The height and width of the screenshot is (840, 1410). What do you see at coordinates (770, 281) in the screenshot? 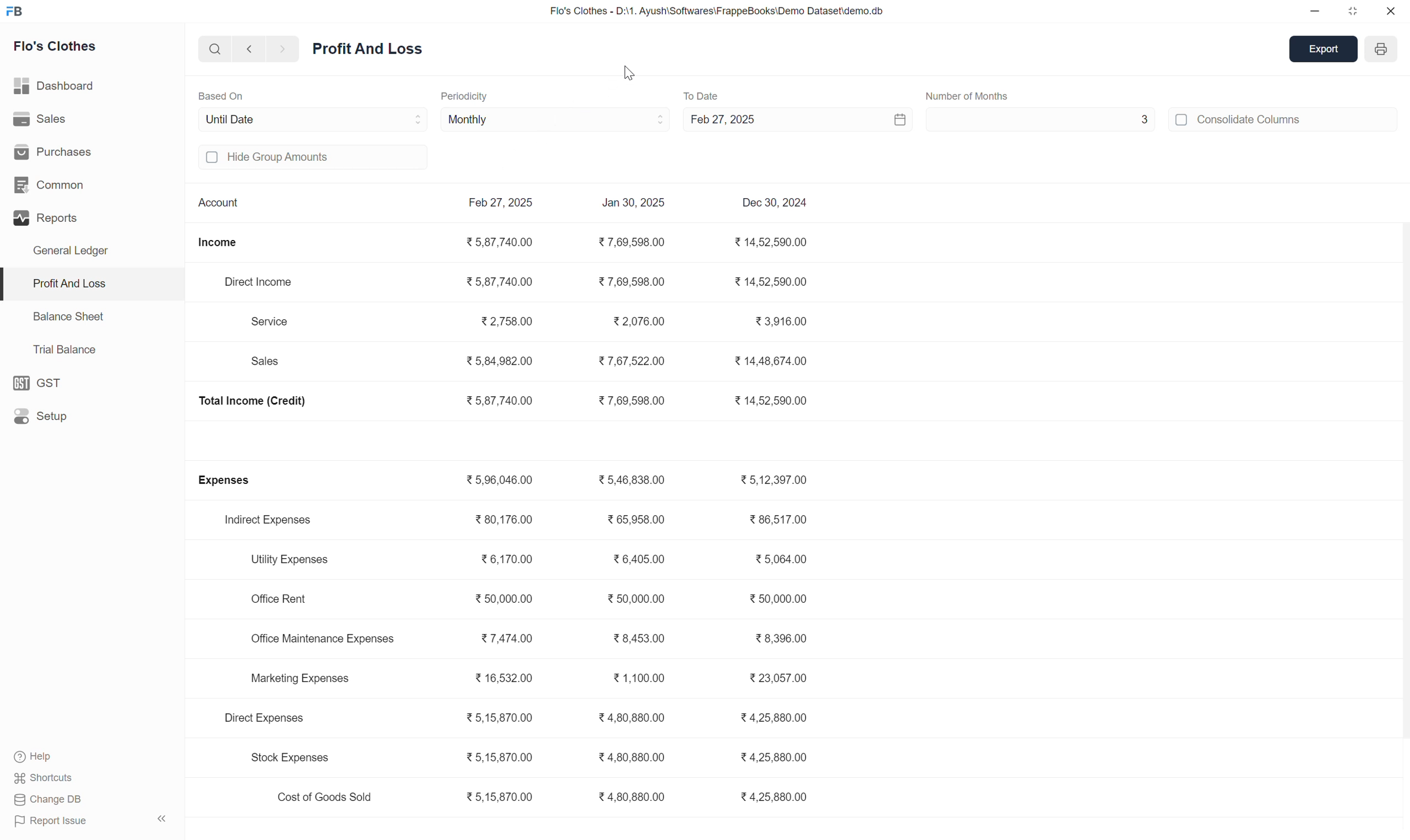
I see `₹14,52,590.00` at bounding box center [770, 281].